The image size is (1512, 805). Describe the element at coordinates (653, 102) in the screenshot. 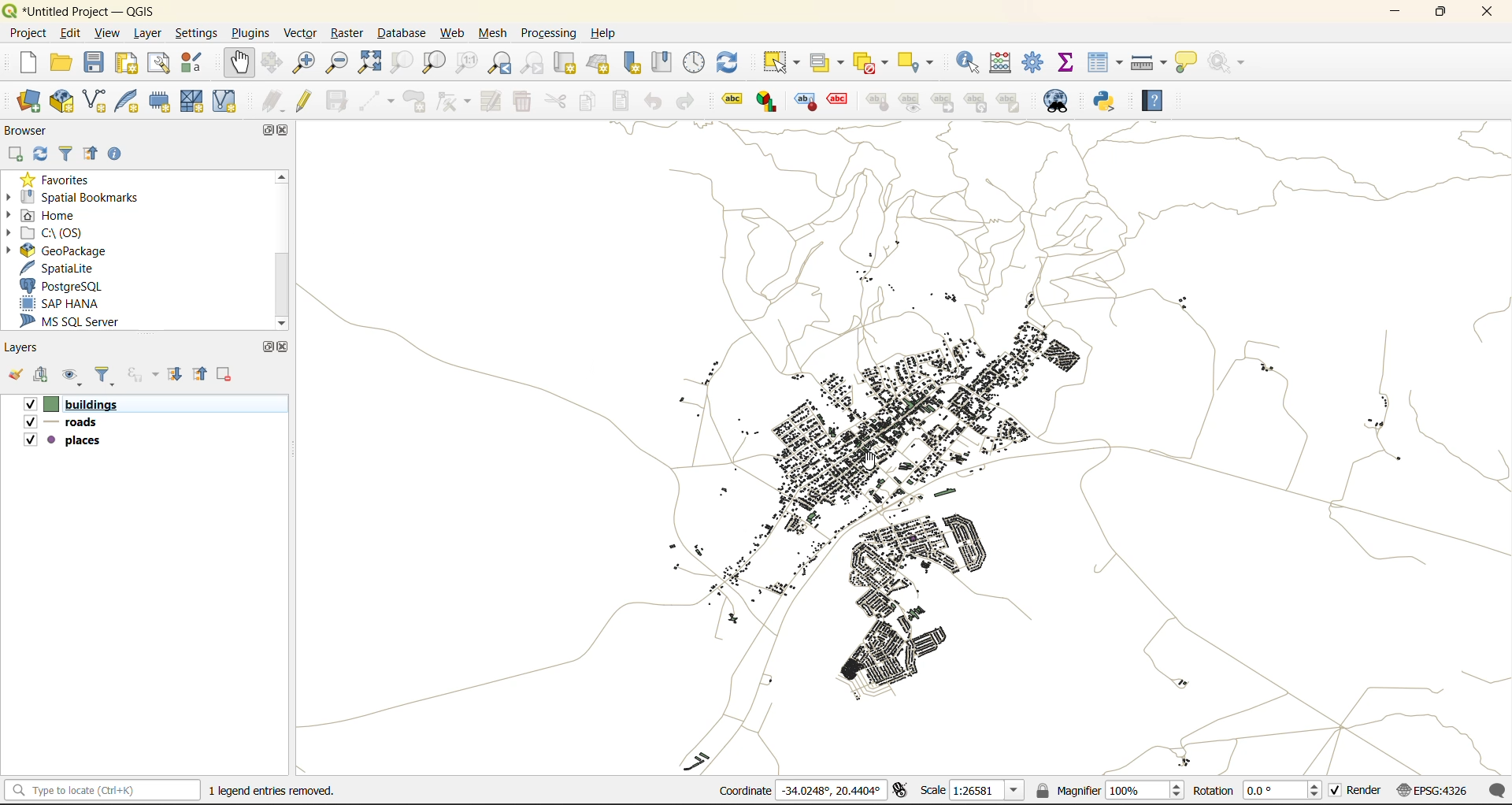

I see `undo` at that location.